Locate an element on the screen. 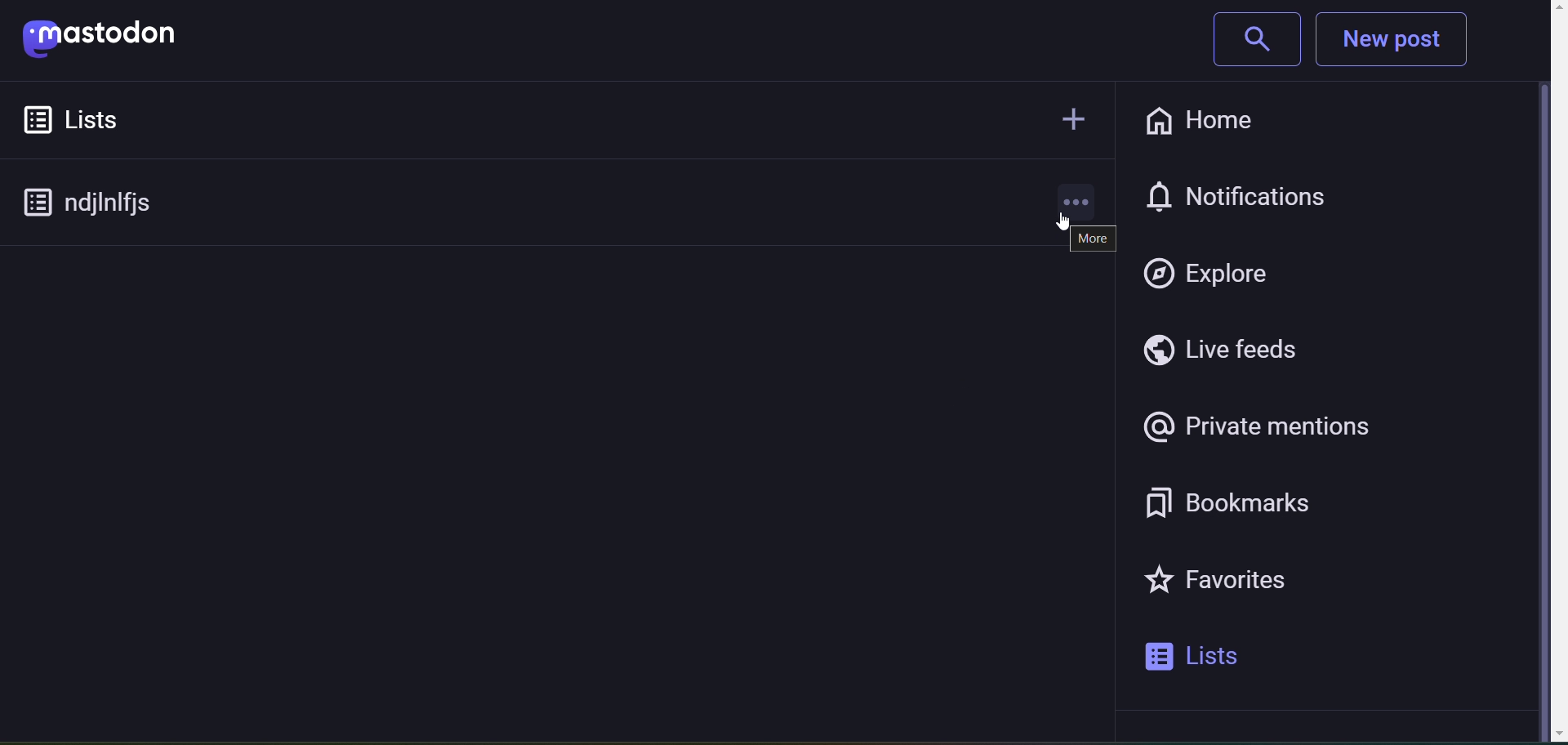 The image size is (1568, 745). explore is located at coordinates (1214, 273).